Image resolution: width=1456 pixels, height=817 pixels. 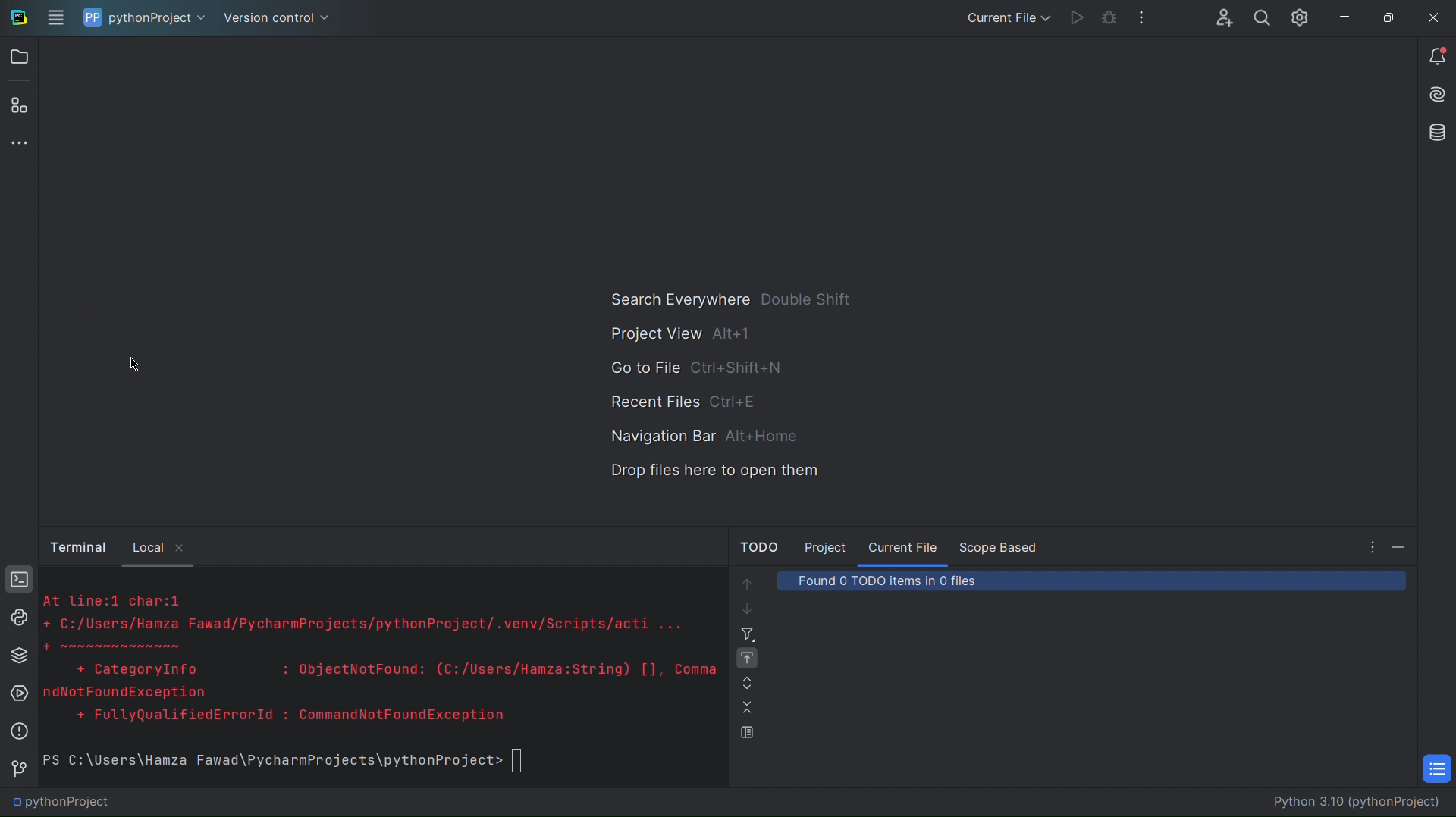 I want to click on Current File, so click(x=1004, y=16).